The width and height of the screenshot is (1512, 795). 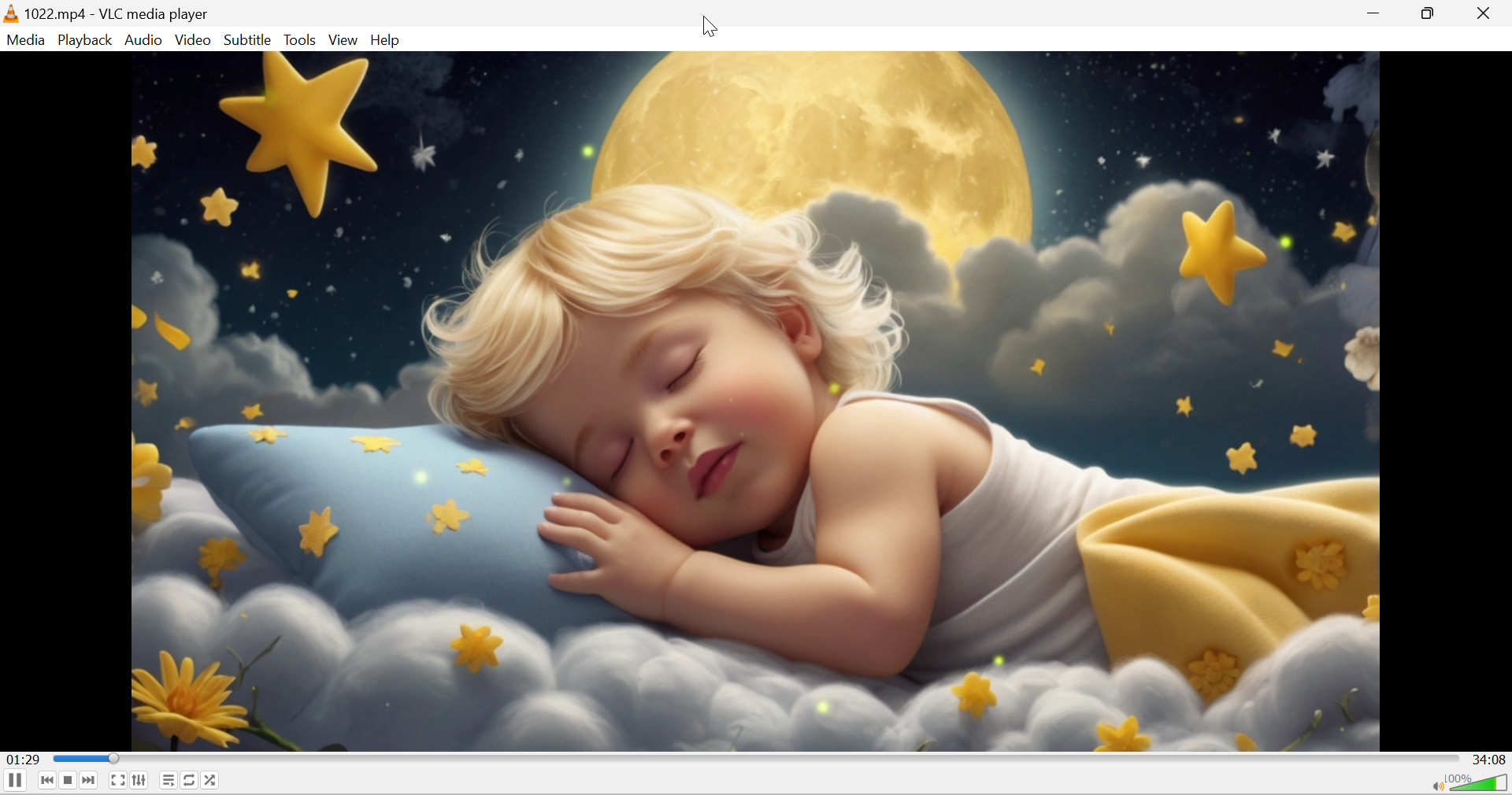 What do you see at coordinates (755, 400) in the screenshot?
I see `video` at bounding box center [755, 400].